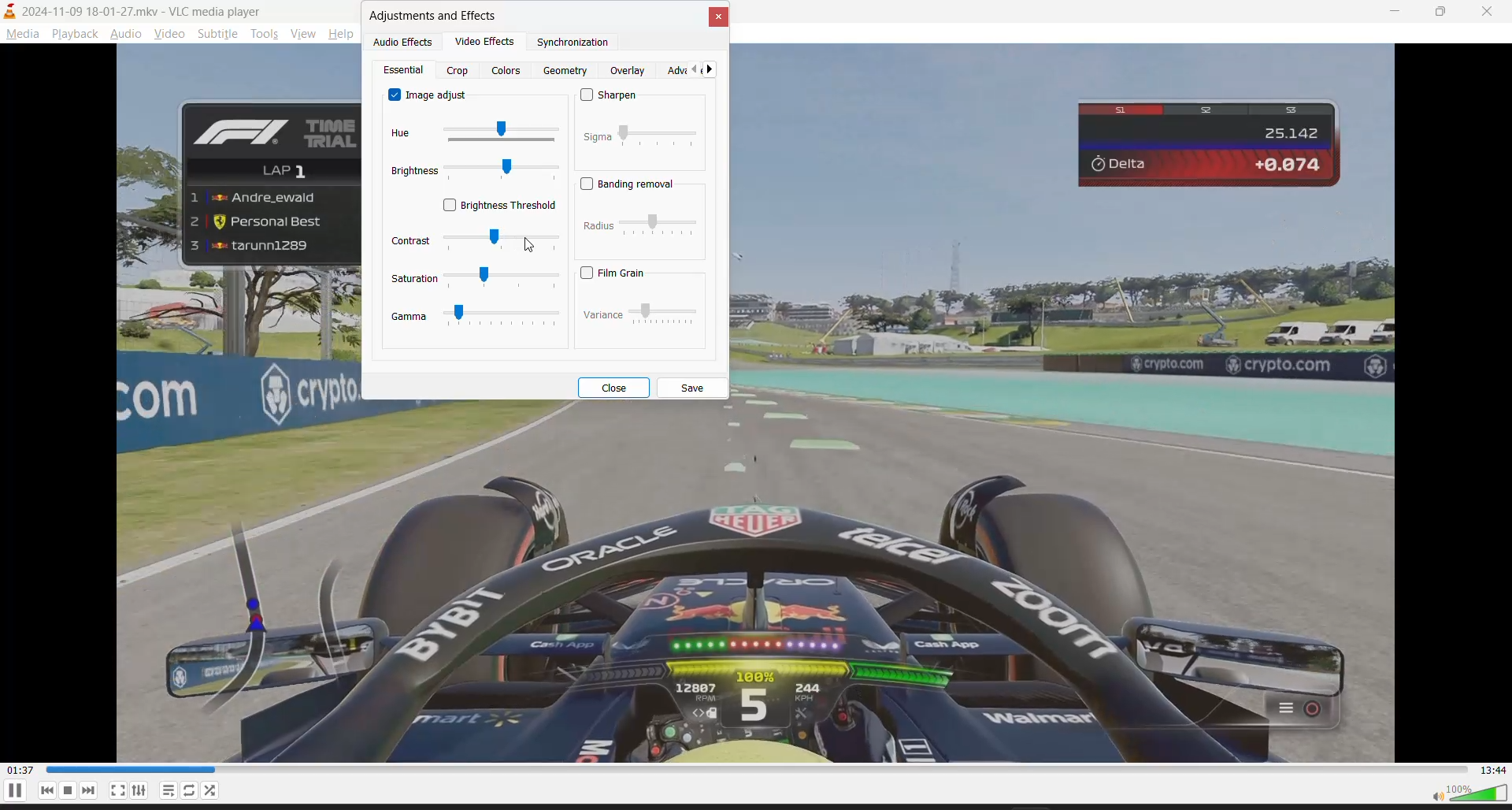  What do you see at coordinates (631, 70) in the screenshot?
I see `overlay` at bounding box center [631, 70].